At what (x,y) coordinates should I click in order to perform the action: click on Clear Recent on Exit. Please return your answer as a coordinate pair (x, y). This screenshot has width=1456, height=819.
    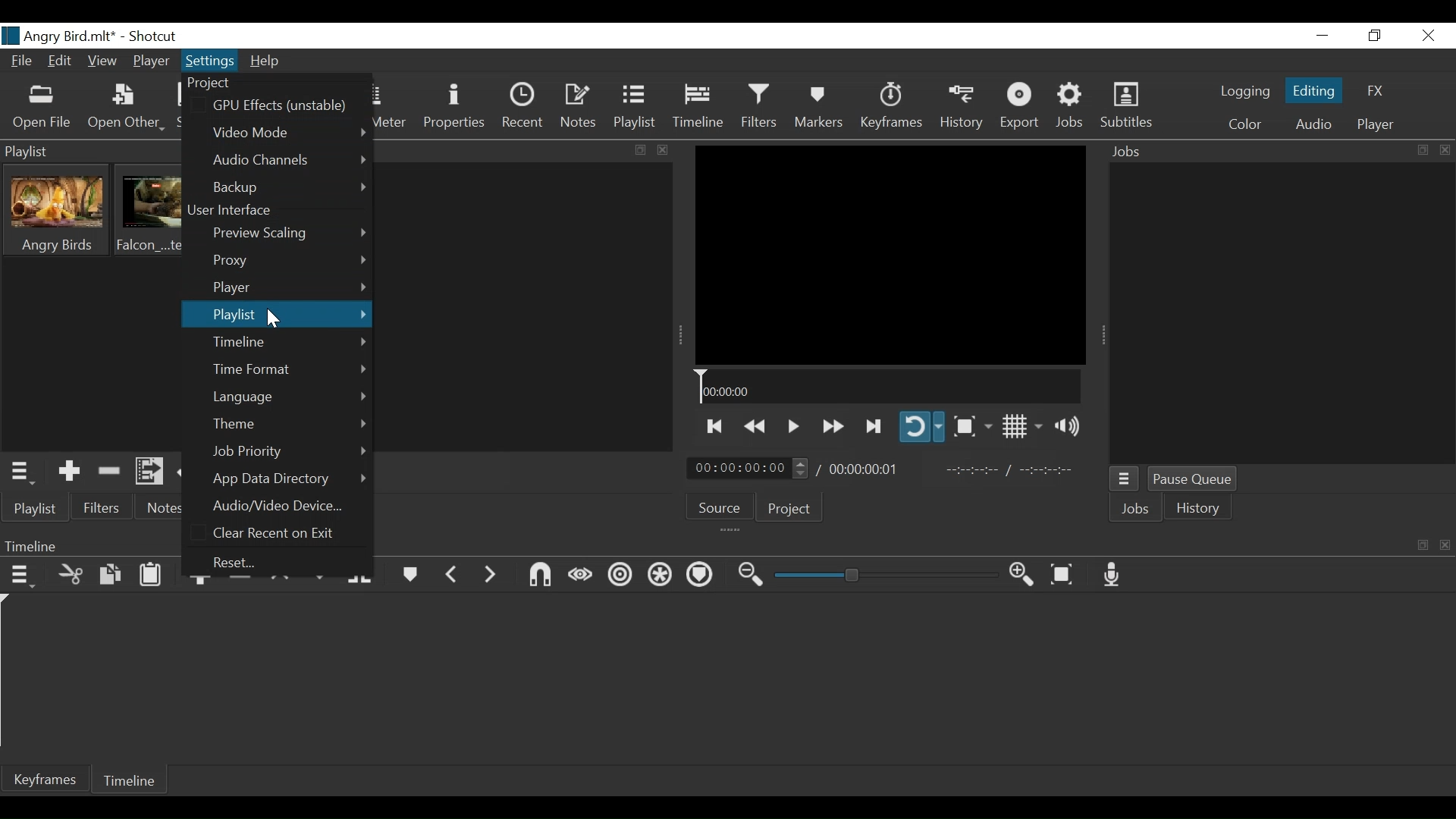
    Looking at the image, I should click on (280, 533).